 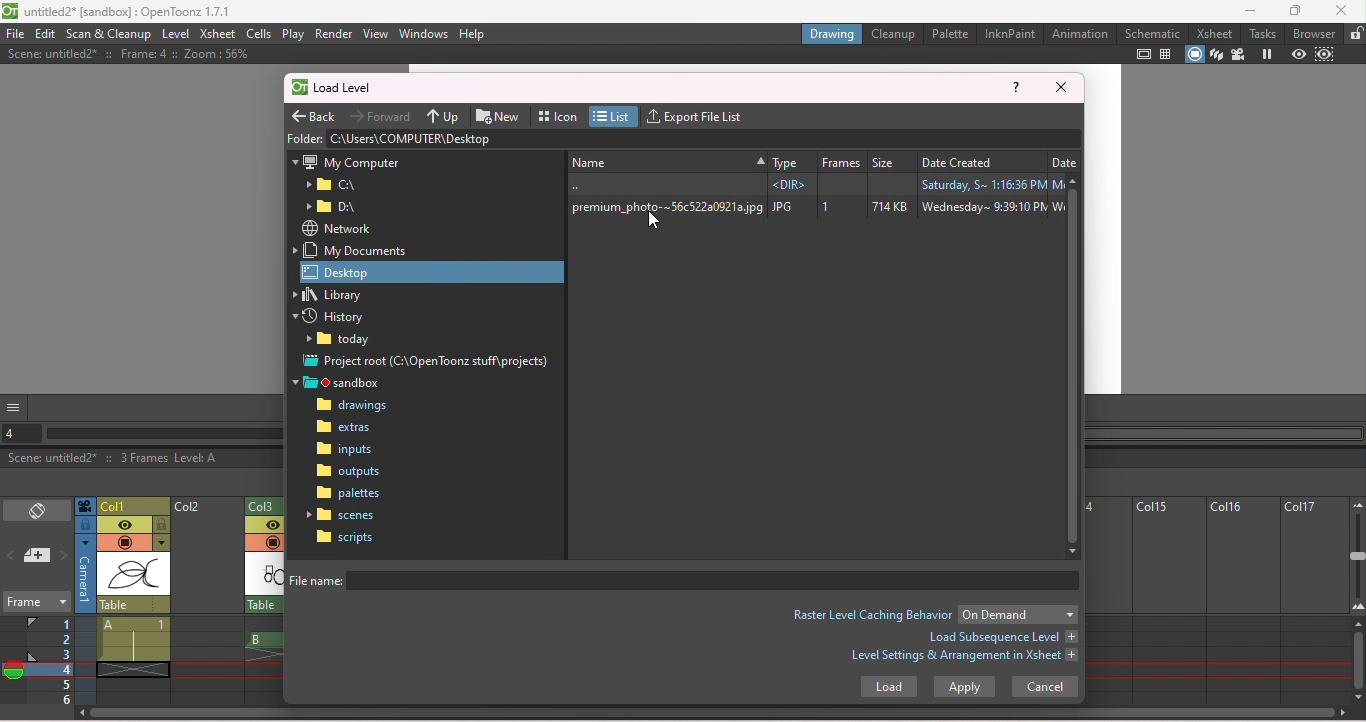 I want to click on Drawings, so click(x=357, y=406).